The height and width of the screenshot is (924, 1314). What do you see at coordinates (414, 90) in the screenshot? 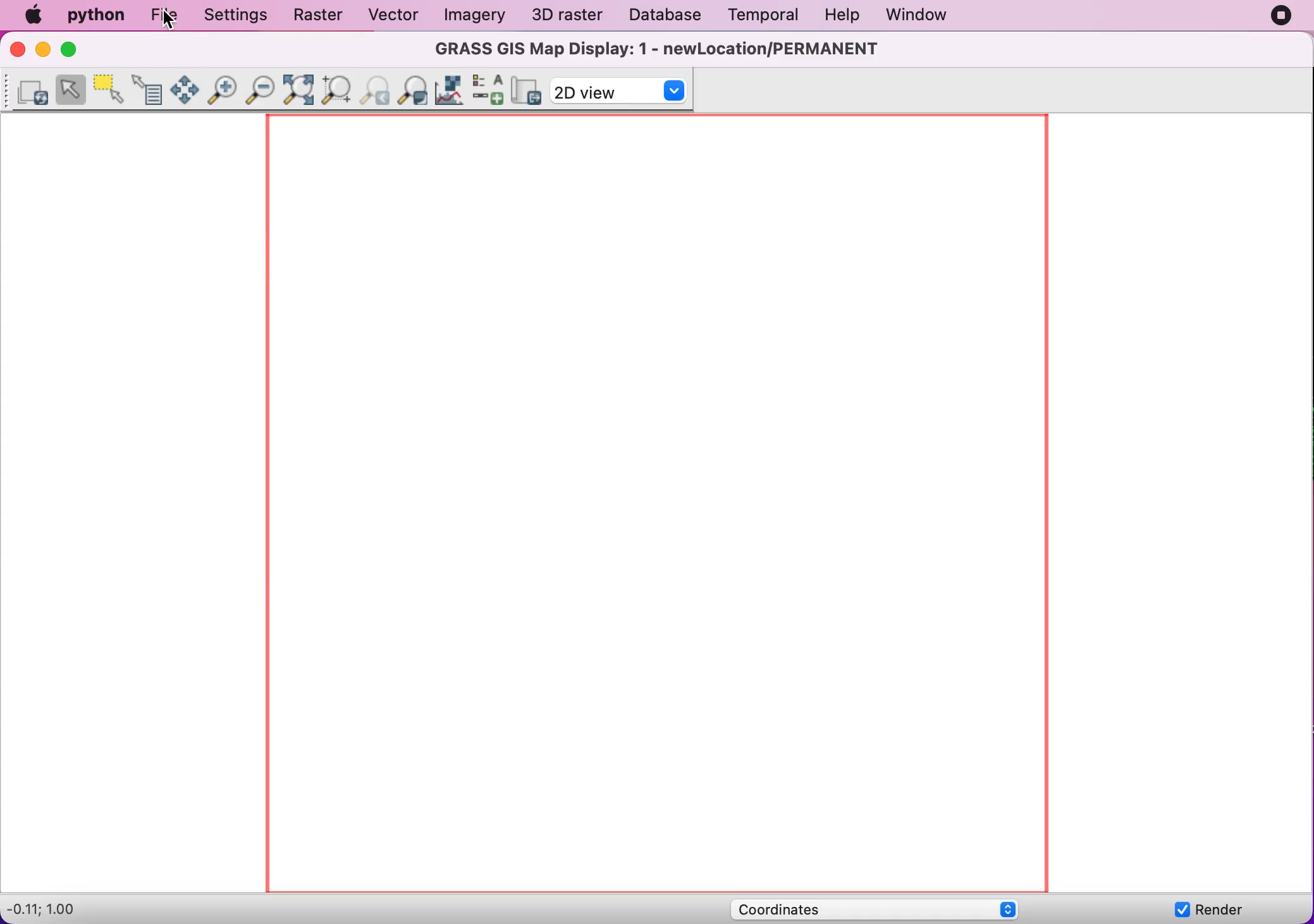
I see `various zoom options` at bounding box center [414, 90].